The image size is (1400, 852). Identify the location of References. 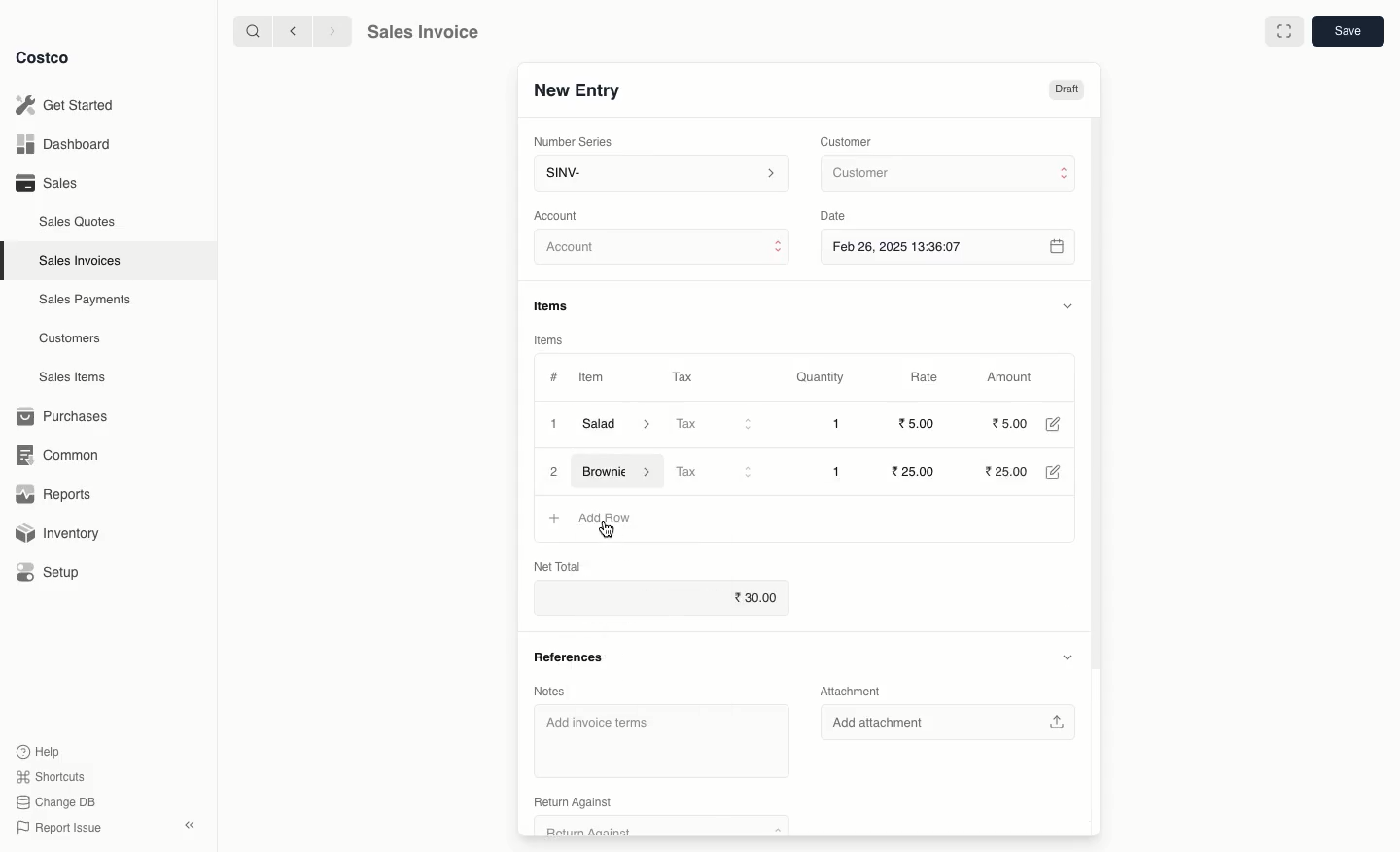
(567, 657).